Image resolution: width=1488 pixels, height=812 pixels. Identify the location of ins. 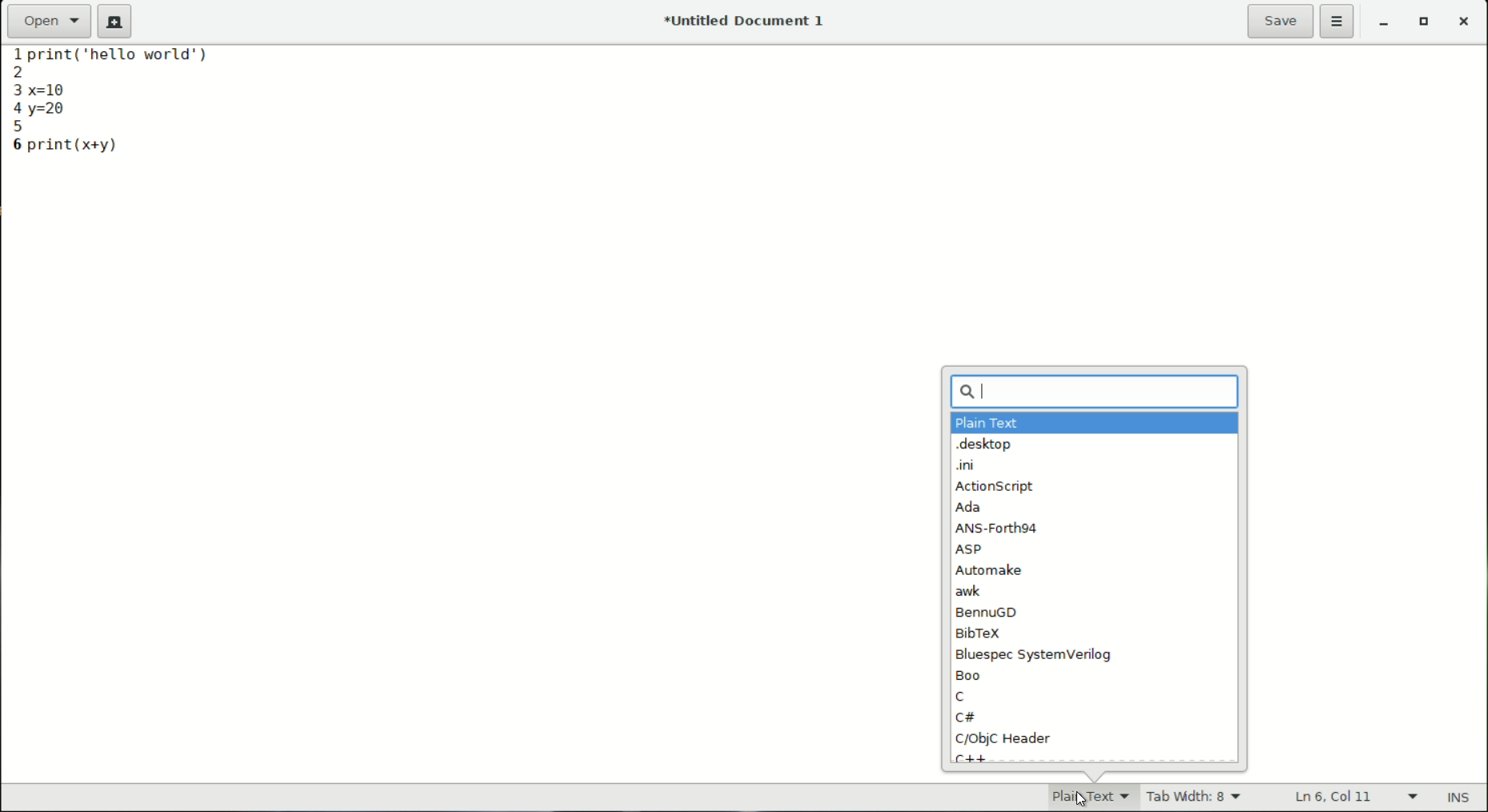
(1461, 798).